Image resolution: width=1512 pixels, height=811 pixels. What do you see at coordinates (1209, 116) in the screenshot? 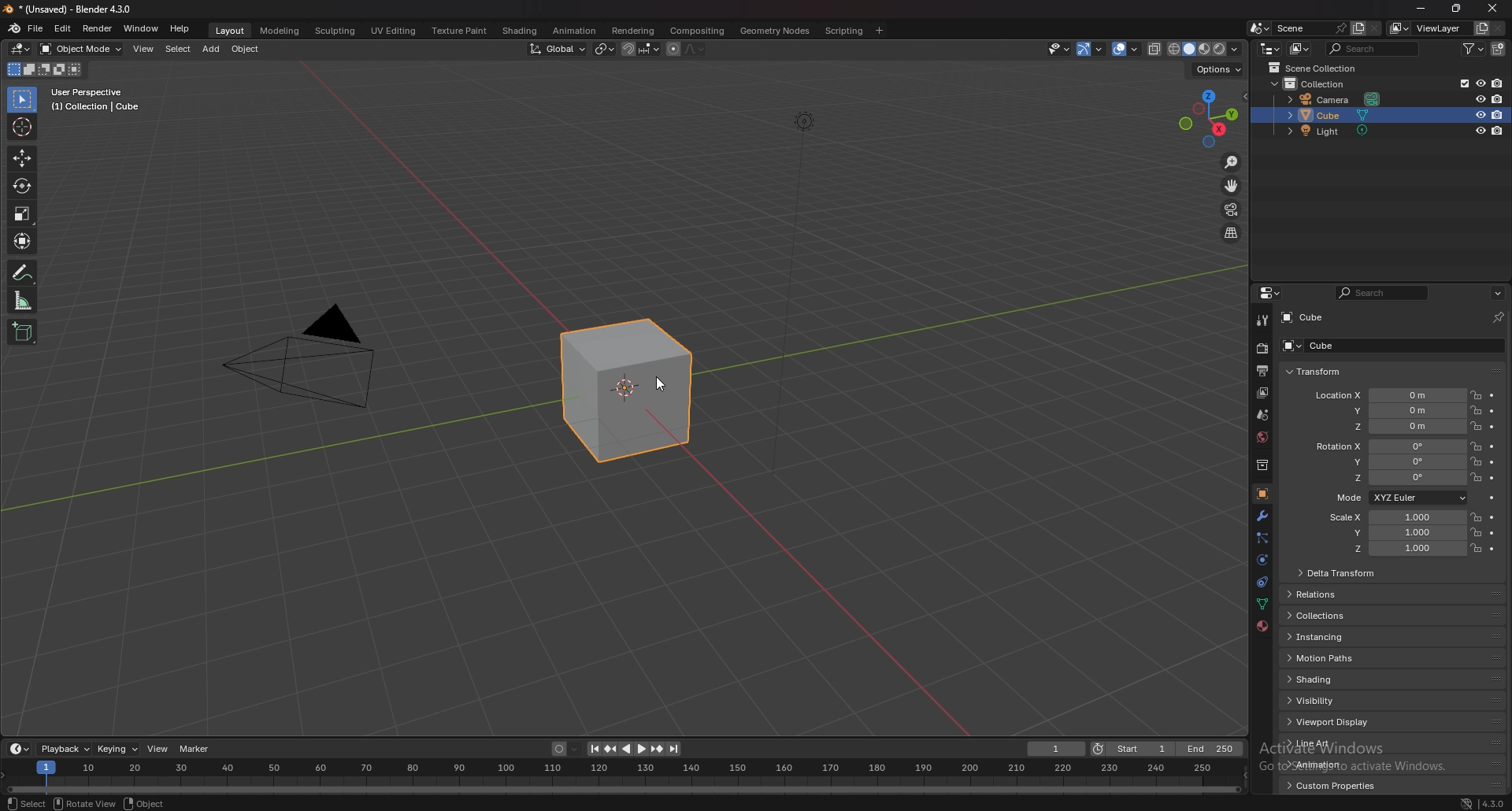
I see `use a preset viewport` at bounding box center [1209, 116].